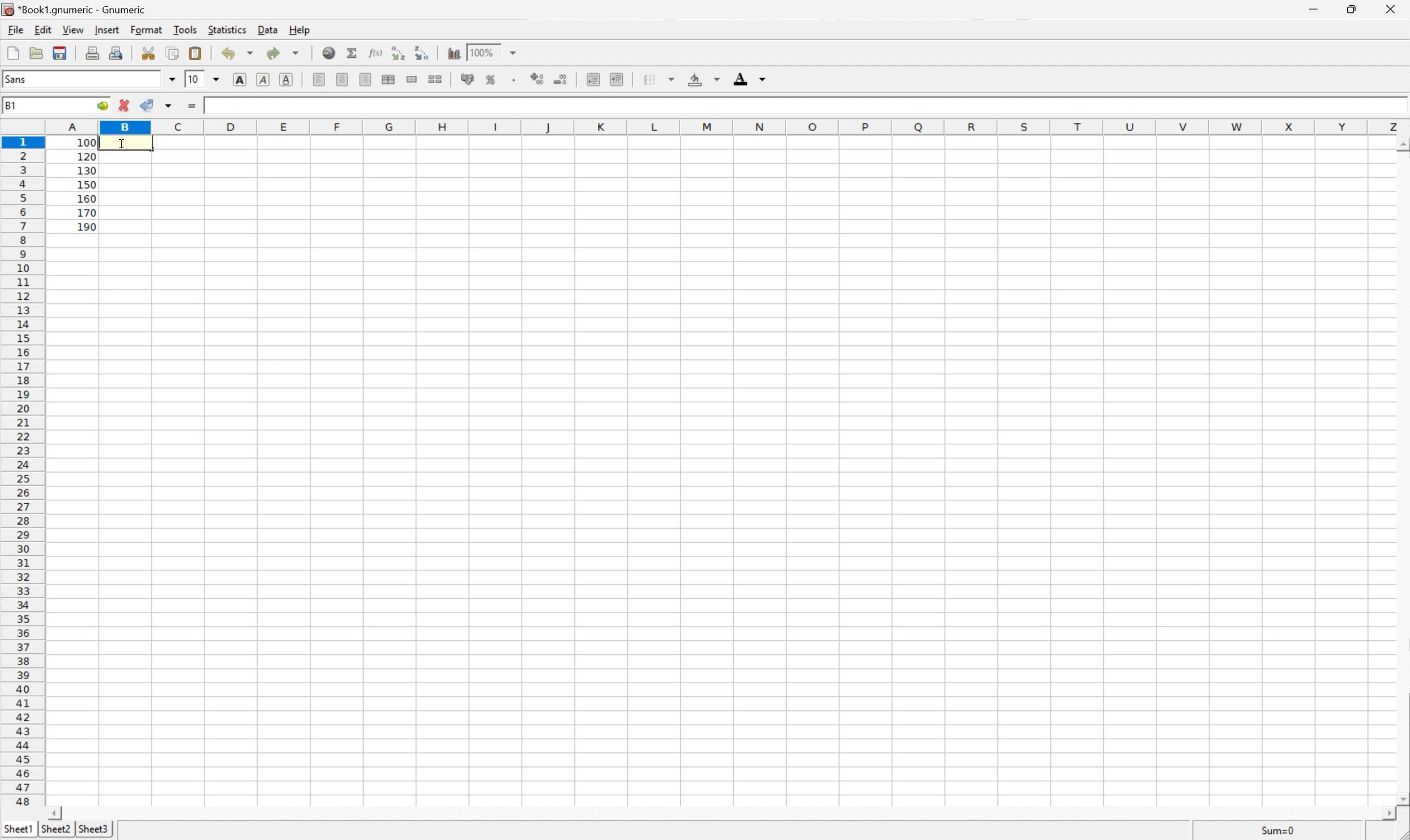  I want to click on Cursor, so click(123, 142).